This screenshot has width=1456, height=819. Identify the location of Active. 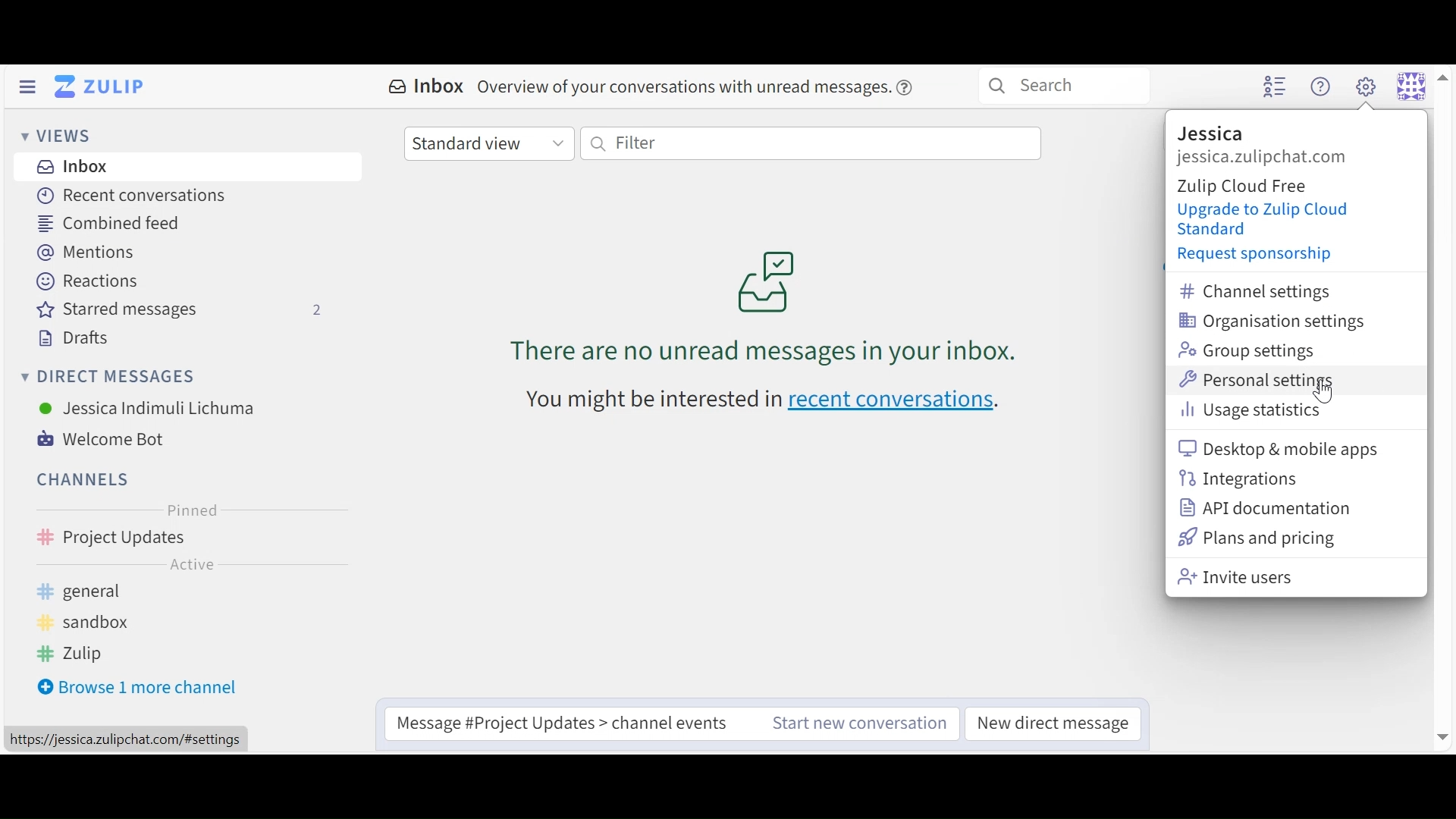
(189, 567).